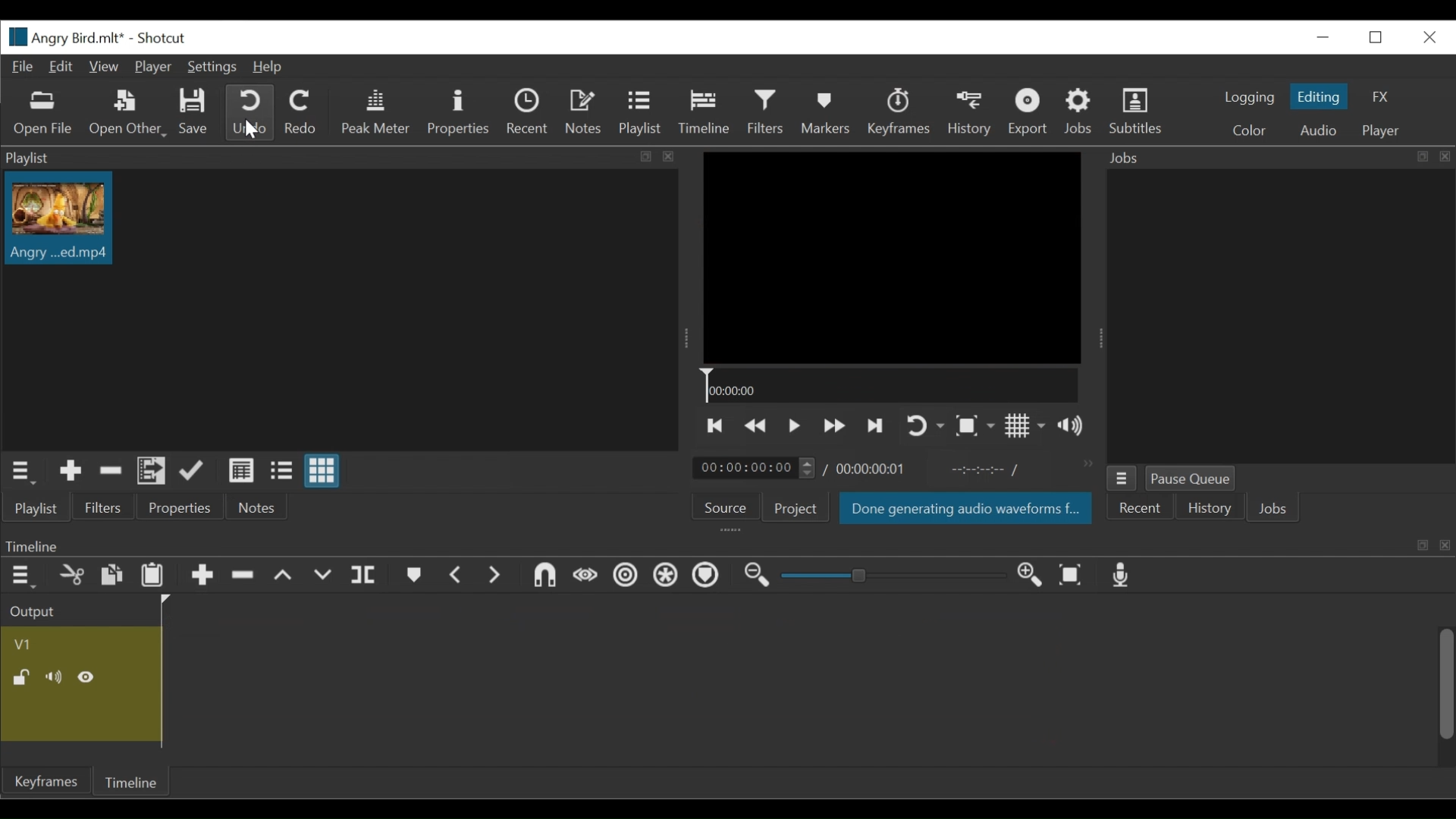 The height and width of the screenshot is (819, 1456). What do you see at coordinates (324, 470) in the screenshot?
I see `View as icon` at bounding box center [324, 470].